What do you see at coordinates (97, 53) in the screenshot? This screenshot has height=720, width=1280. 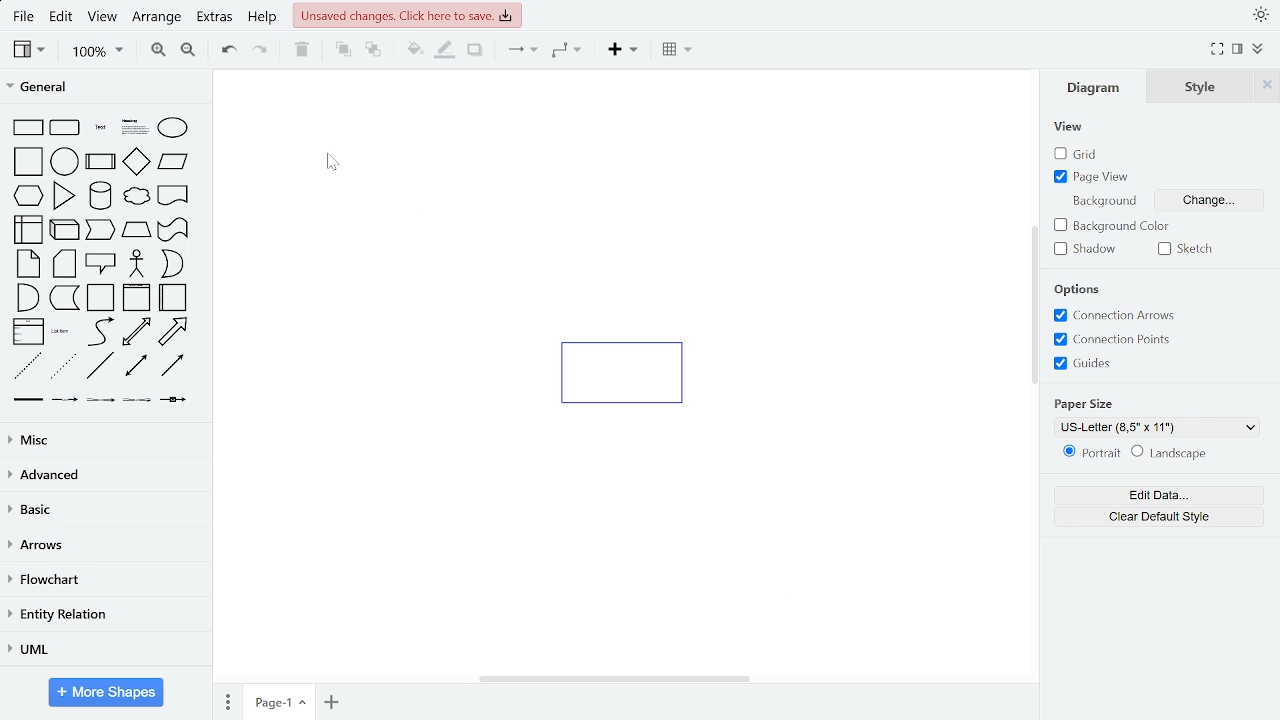 I see `zoom` at bounding box center [97, 53].